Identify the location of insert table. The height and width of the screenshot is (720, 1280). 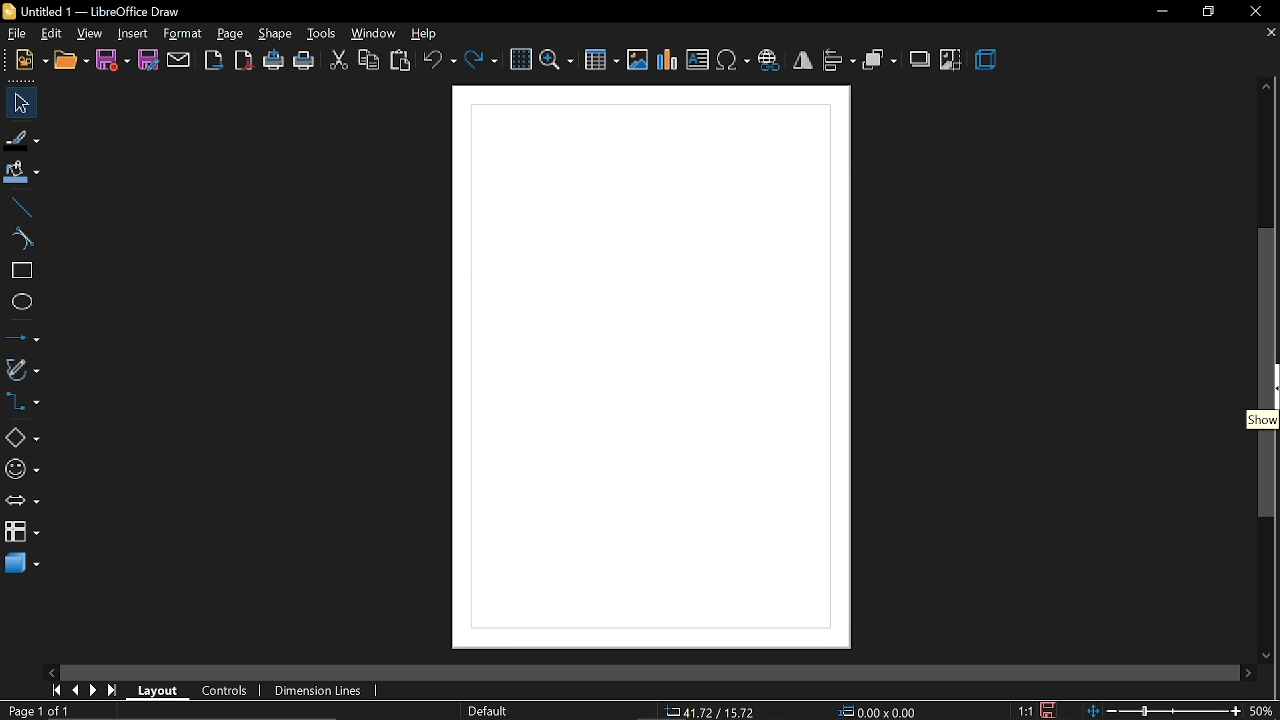
(602, 58).